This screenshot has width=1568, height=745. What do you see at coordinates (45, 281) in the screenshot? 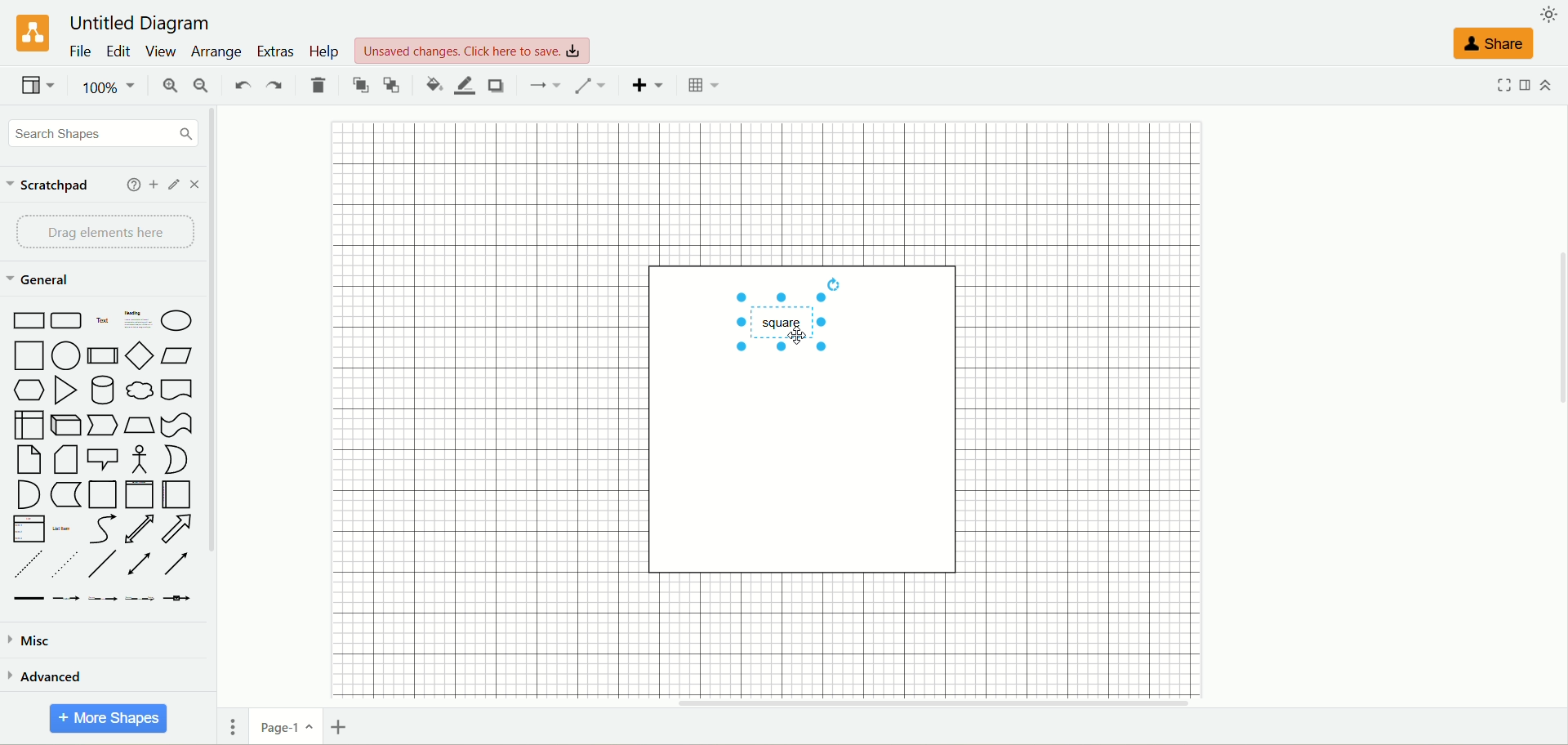
I see `general` at bounding box center [45, 281].